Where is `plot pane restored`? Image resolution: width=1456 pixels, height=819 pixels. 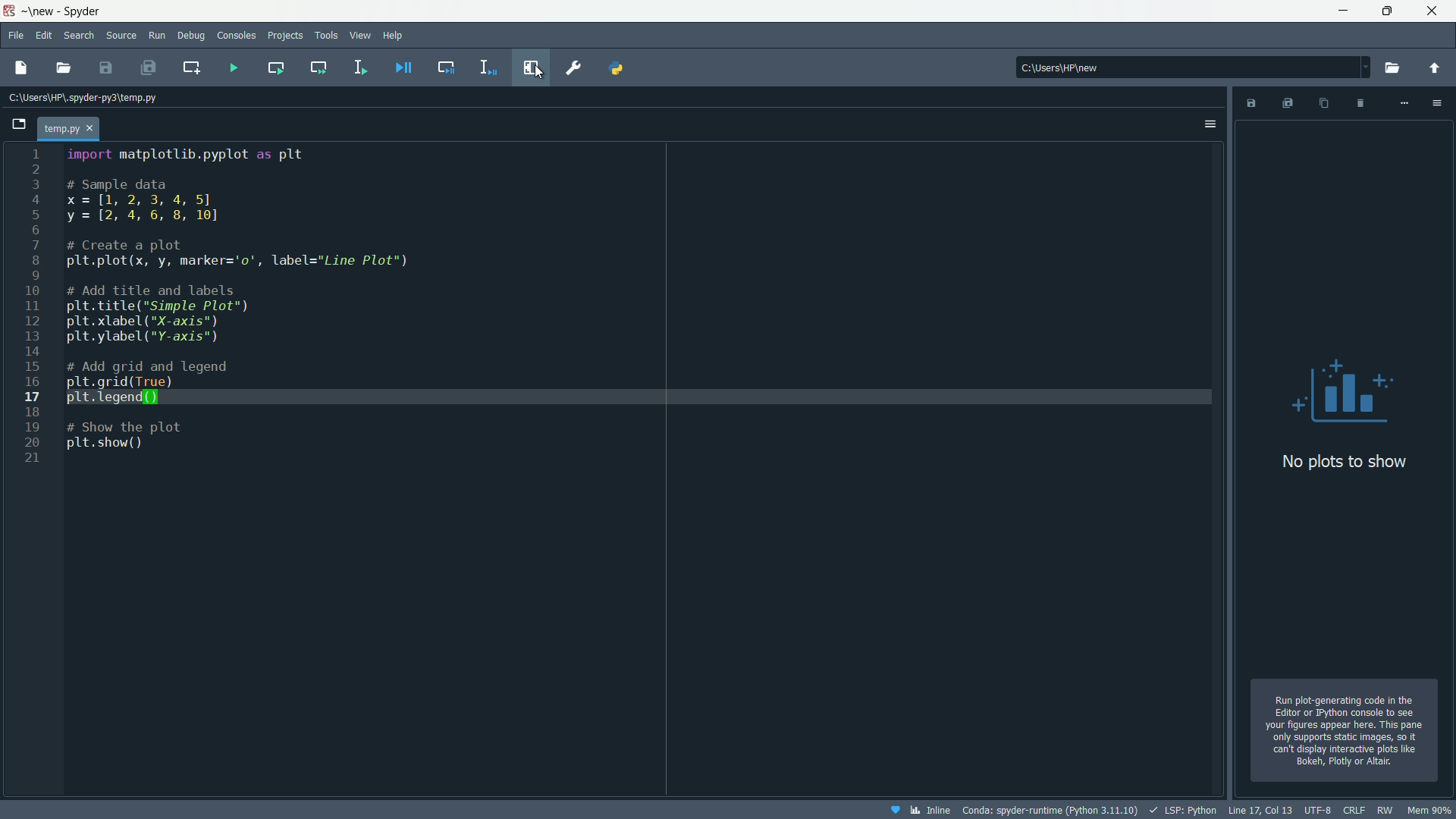
plot pane restored is located at coordinates (1341, 444).